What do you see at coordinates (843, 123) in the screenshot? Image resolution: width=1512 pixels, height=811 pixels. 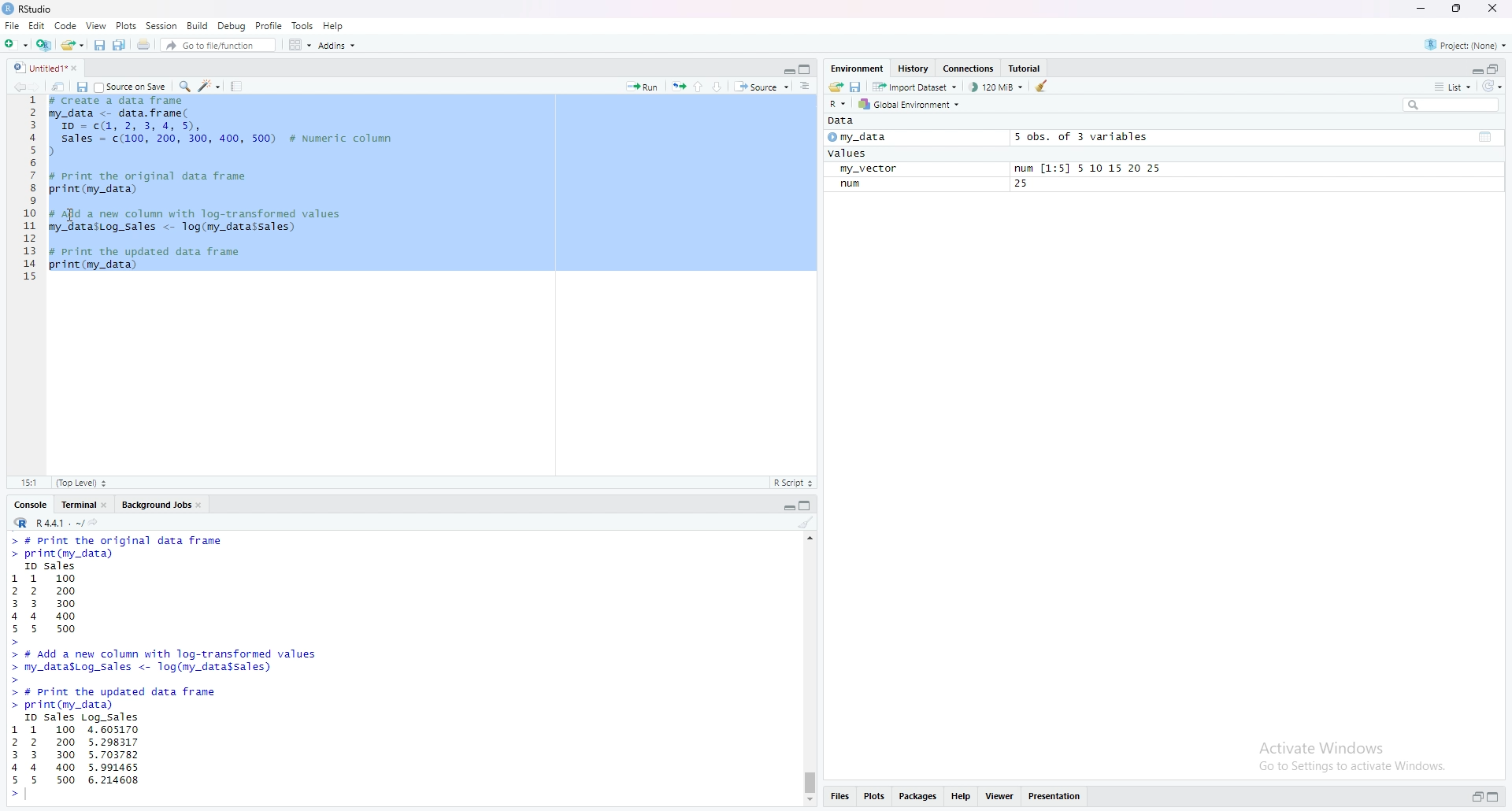 I see `Data` at bounding box center [843, 123].